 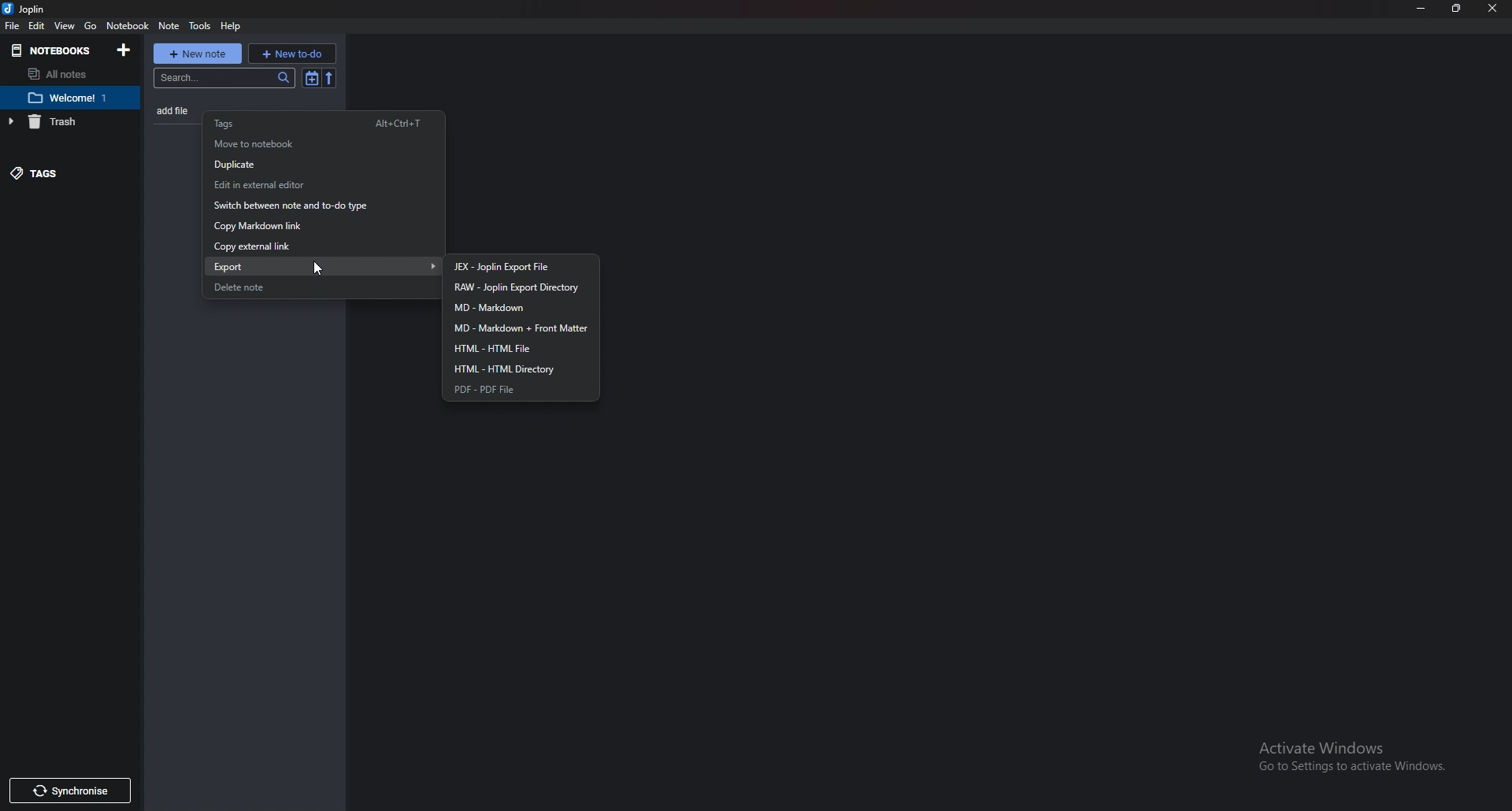 I want to click on Notebook, so click(x=76, y=97).